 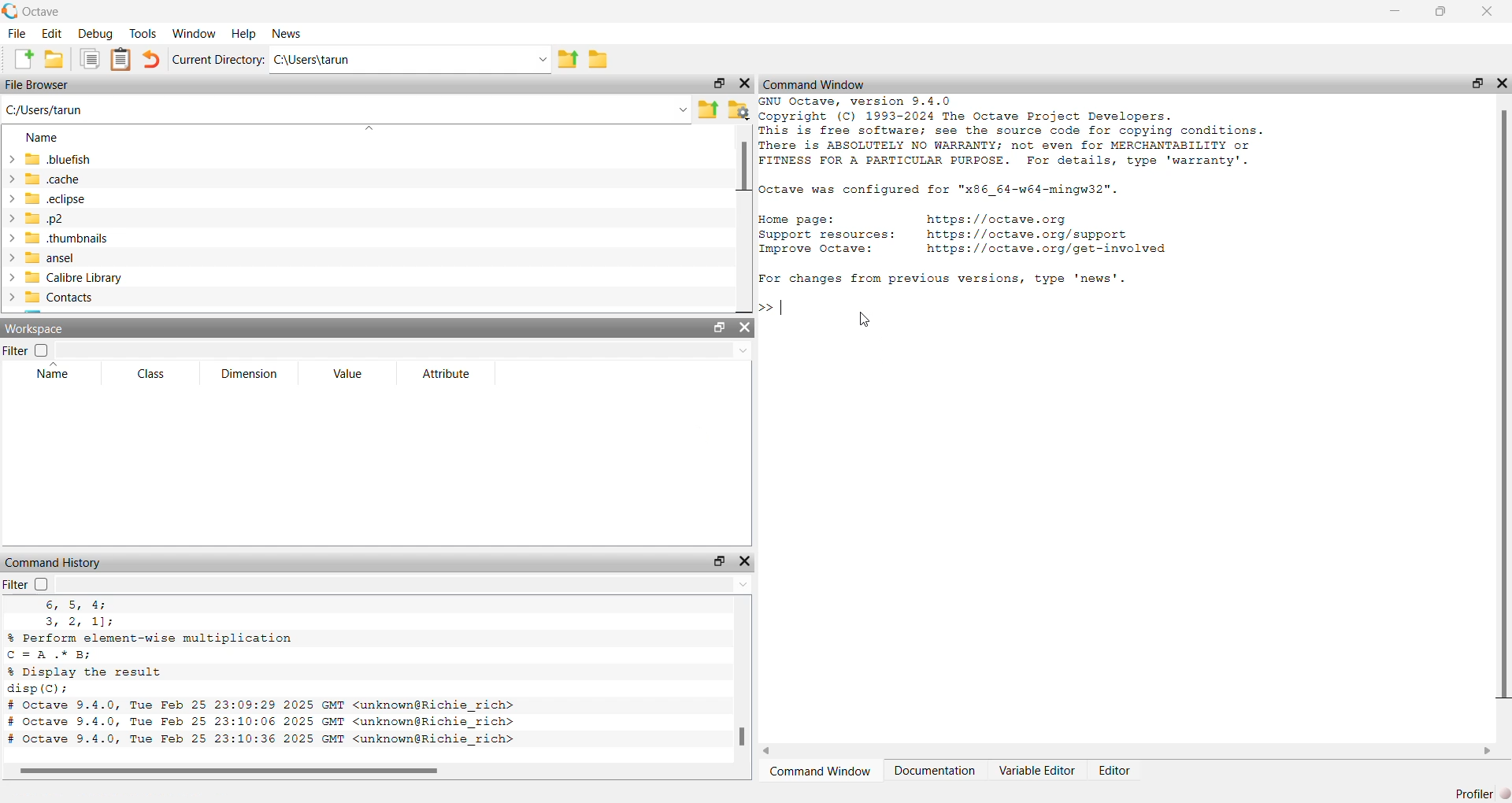 What do you see at coordinates (48, 161) in the screenshot?
I see `.bluefish` at bounding box center [48, 161].